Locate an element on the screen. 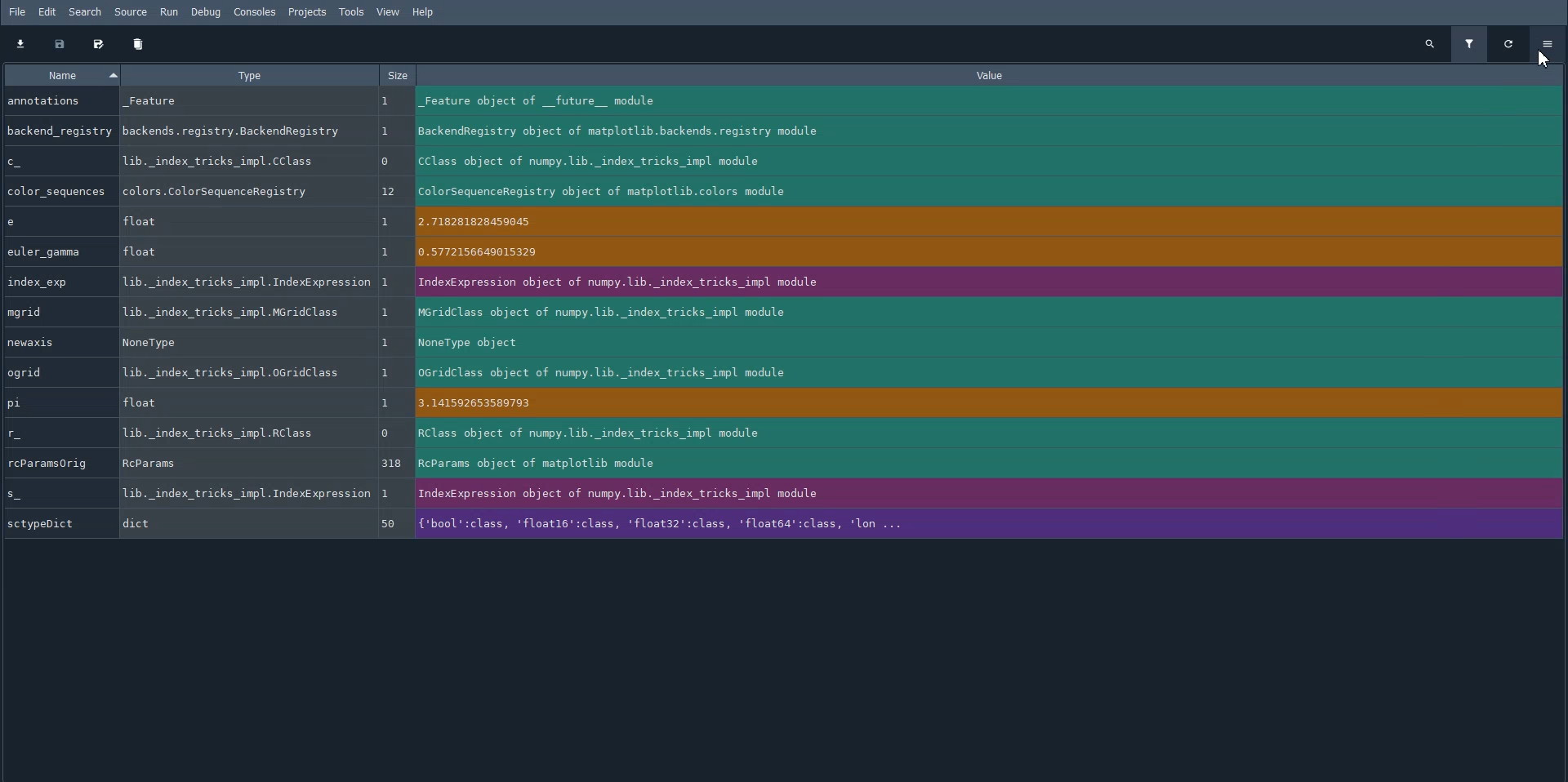  10.5772156649015329 is located at coordinates (987, 254).